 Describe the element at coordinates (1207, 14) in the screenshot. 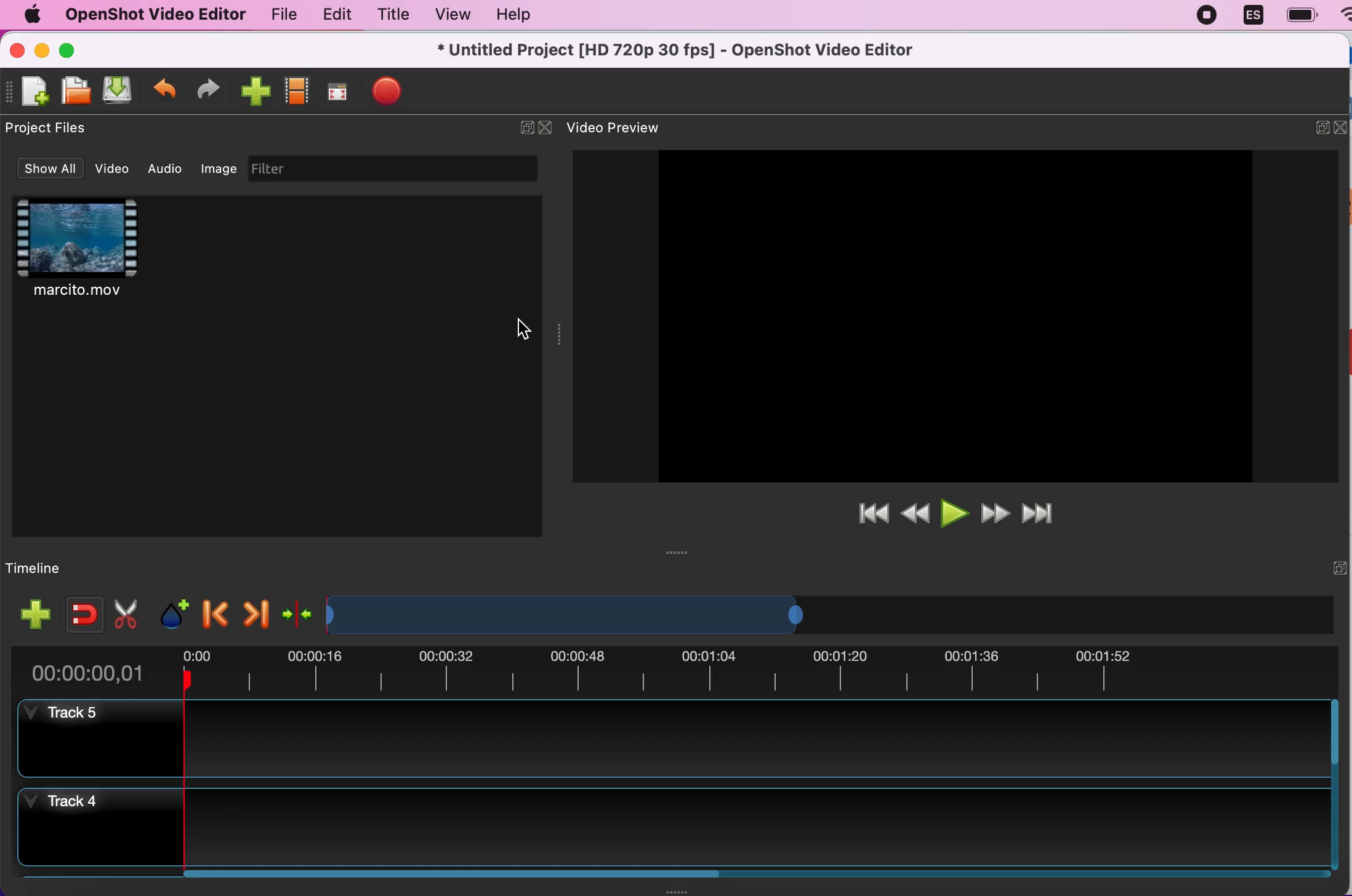

I see `recording stopped` at that location.